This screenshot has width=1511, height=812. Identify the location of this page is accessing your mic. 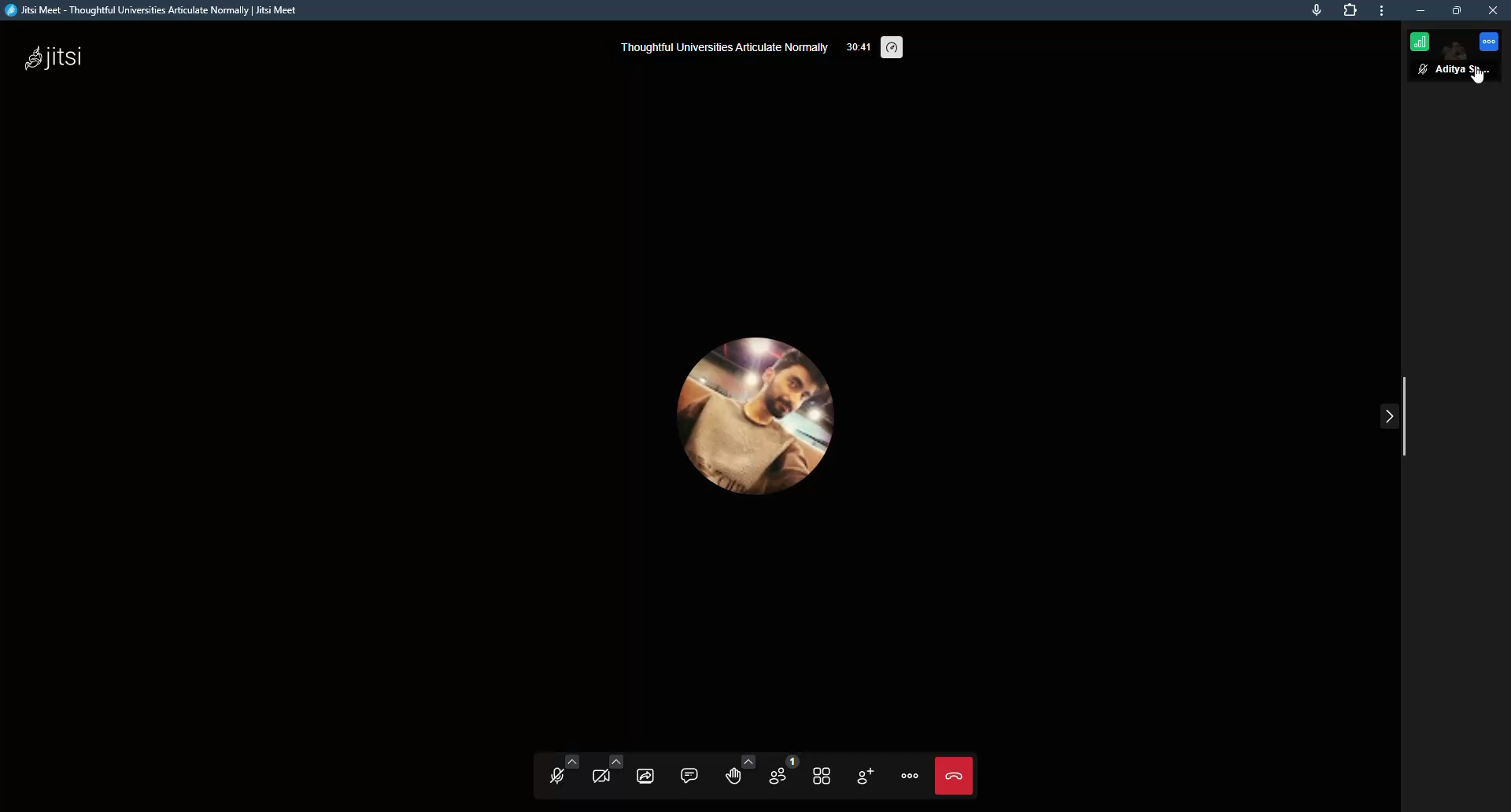
(1316, 11).